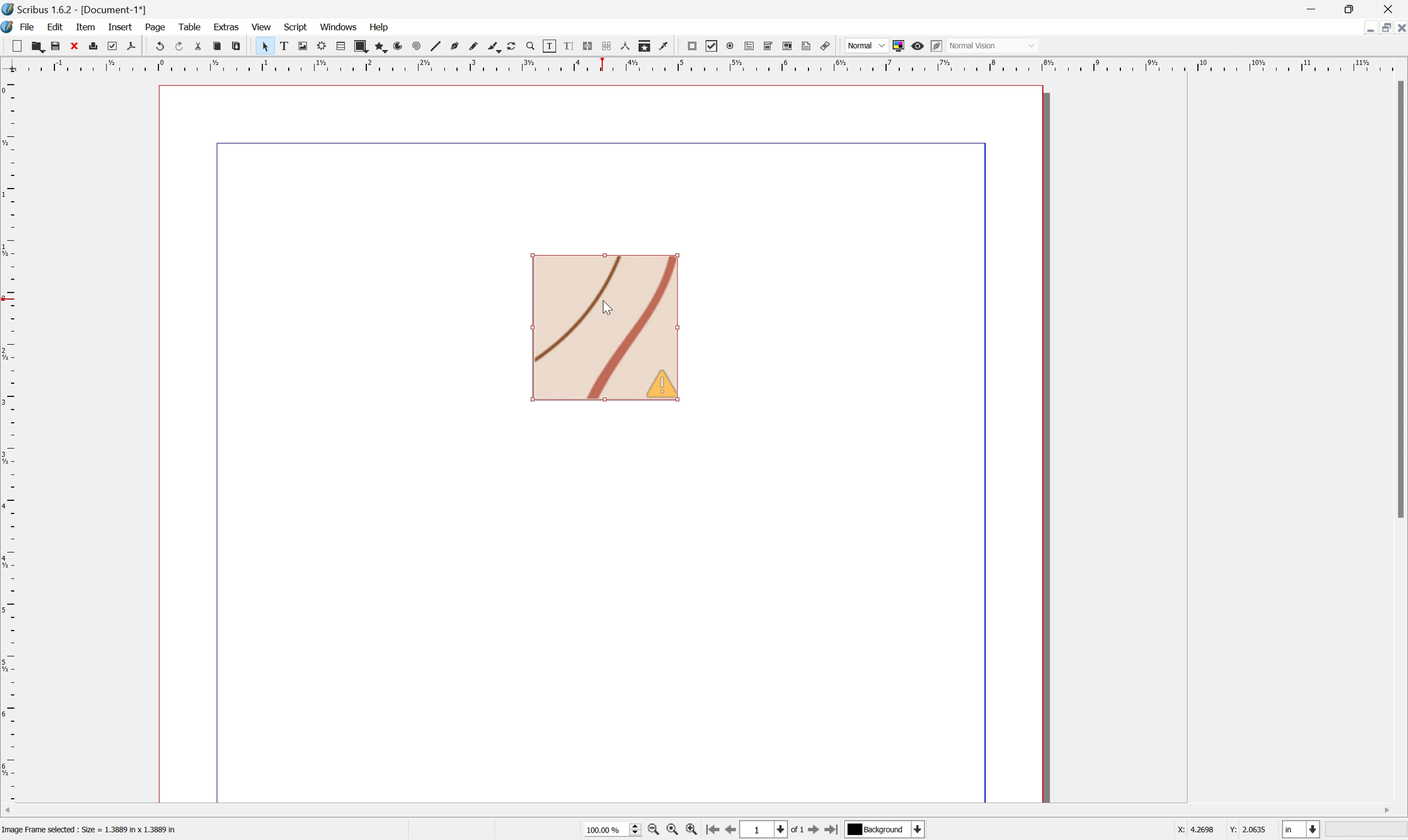 Image resolution: width=1408 pixels, height=840 pixels. What do you see at coordinates (458, 47) in the screenshot?
I see `Bezier curve` at bounding box center [458, 47].